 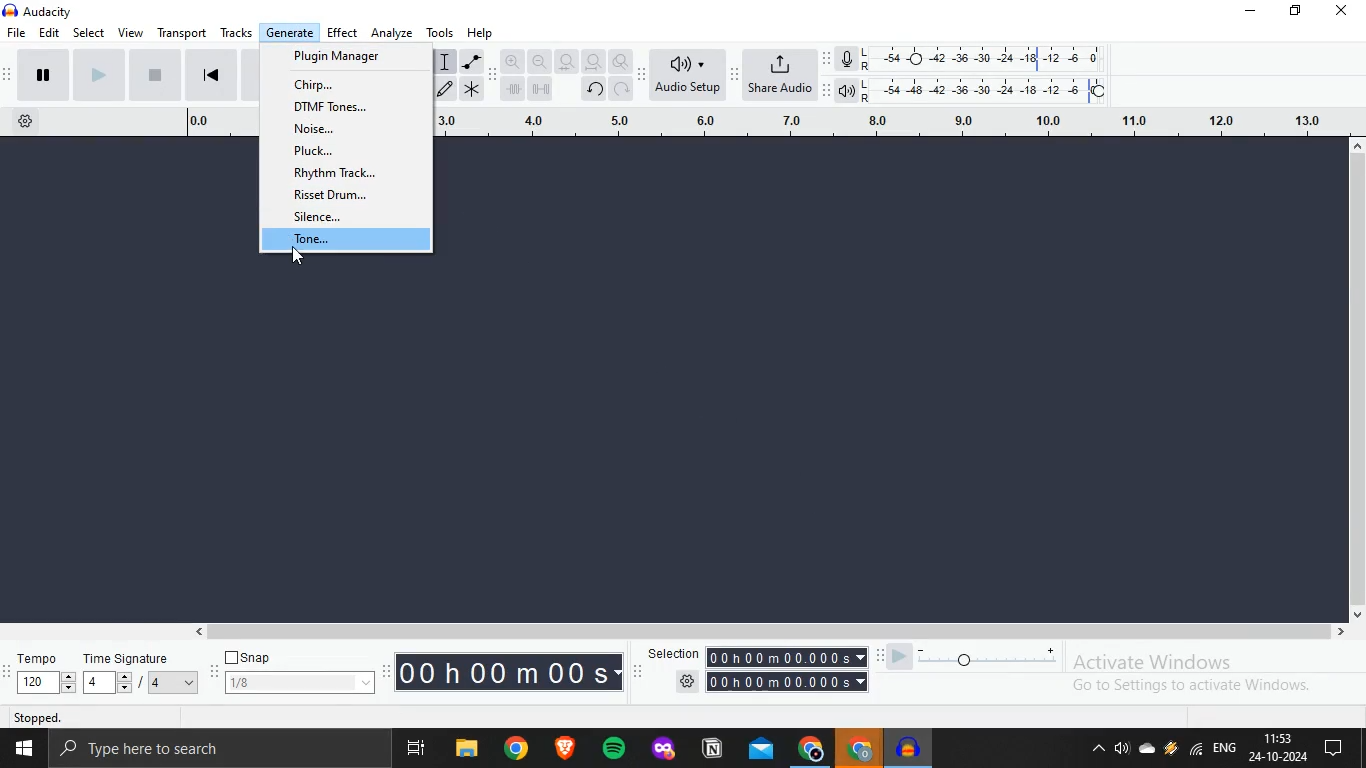 I want to click on Settings, so click(x=22, y=123).